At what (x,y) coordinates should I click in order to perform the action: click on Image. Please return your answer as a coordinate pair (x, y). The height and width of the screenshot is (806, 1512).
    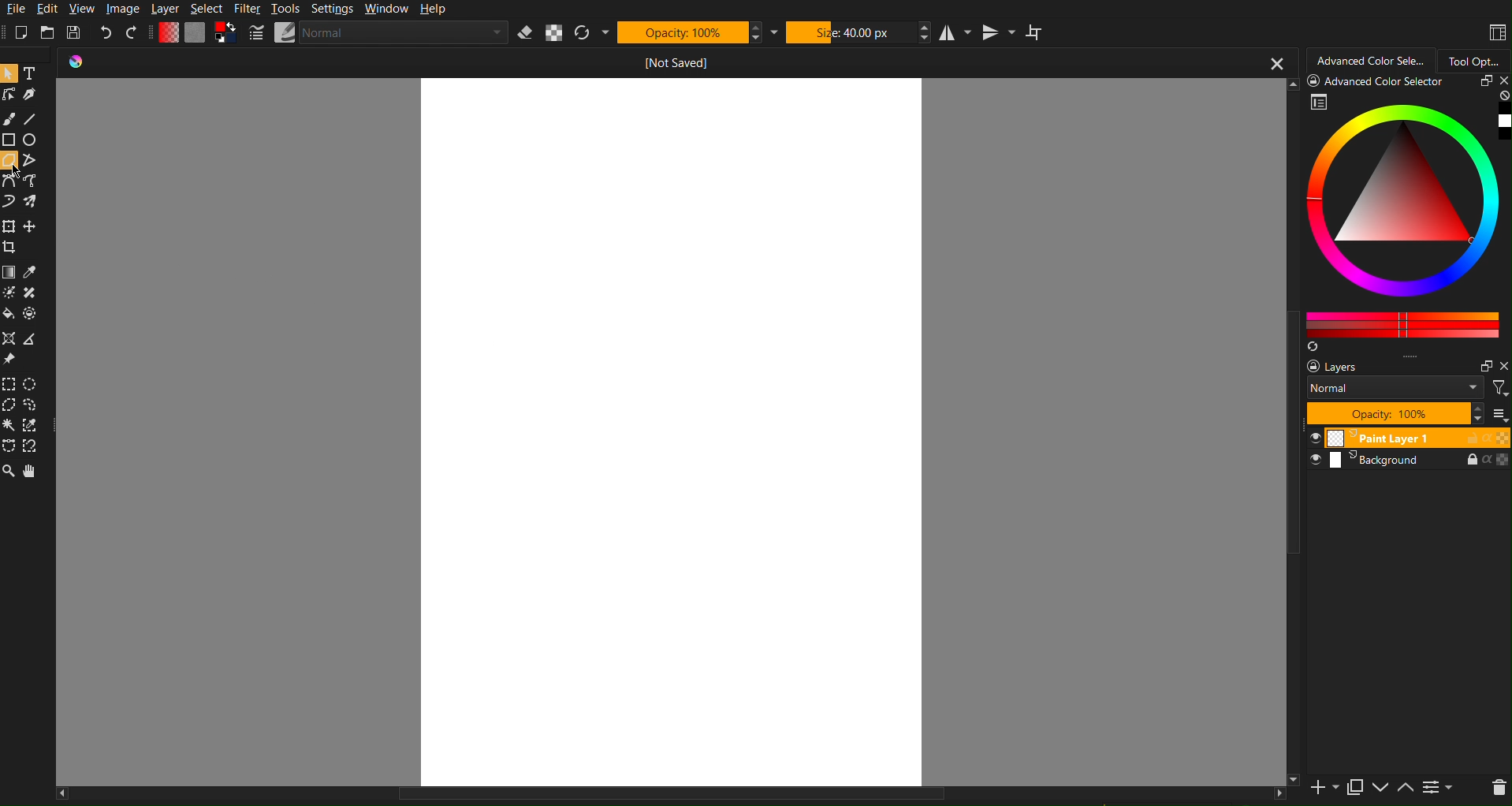
    Looking at the image, I should click on (121, 10).